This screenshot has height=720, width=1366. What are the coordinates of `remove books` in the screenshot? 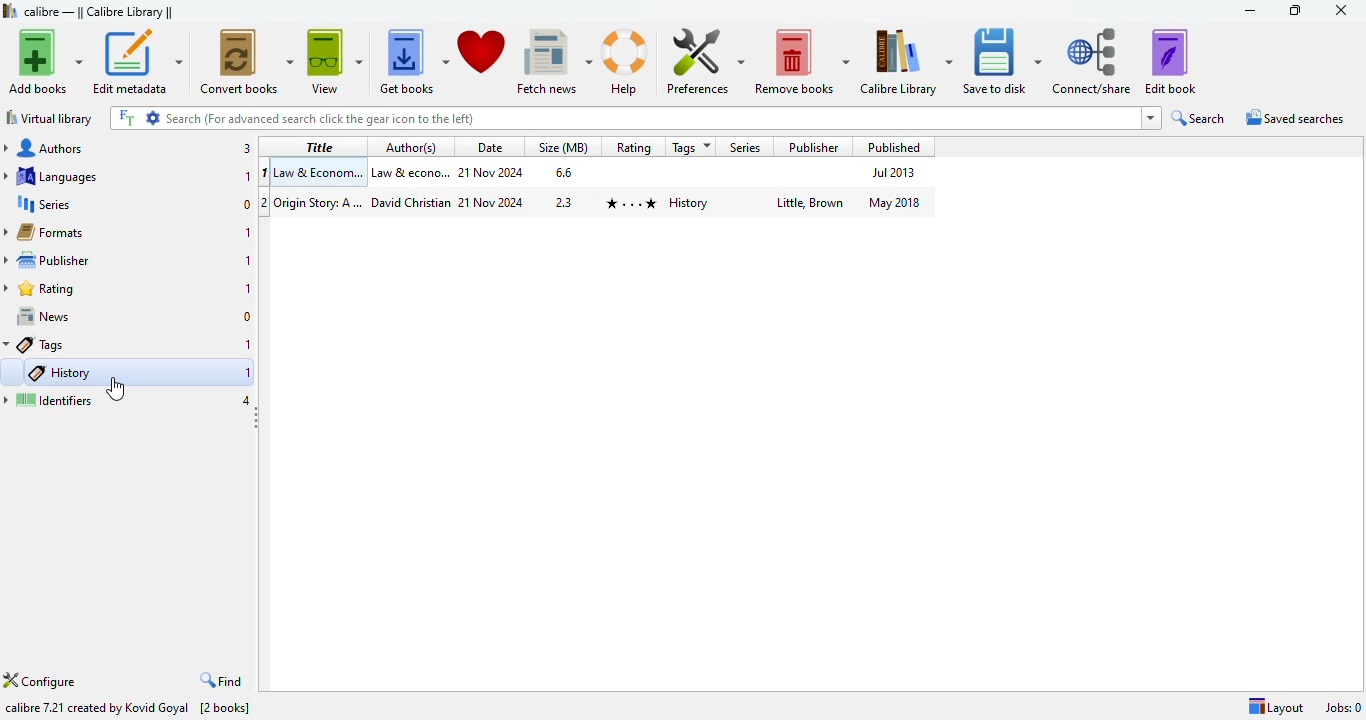 It's located at (803, 60).